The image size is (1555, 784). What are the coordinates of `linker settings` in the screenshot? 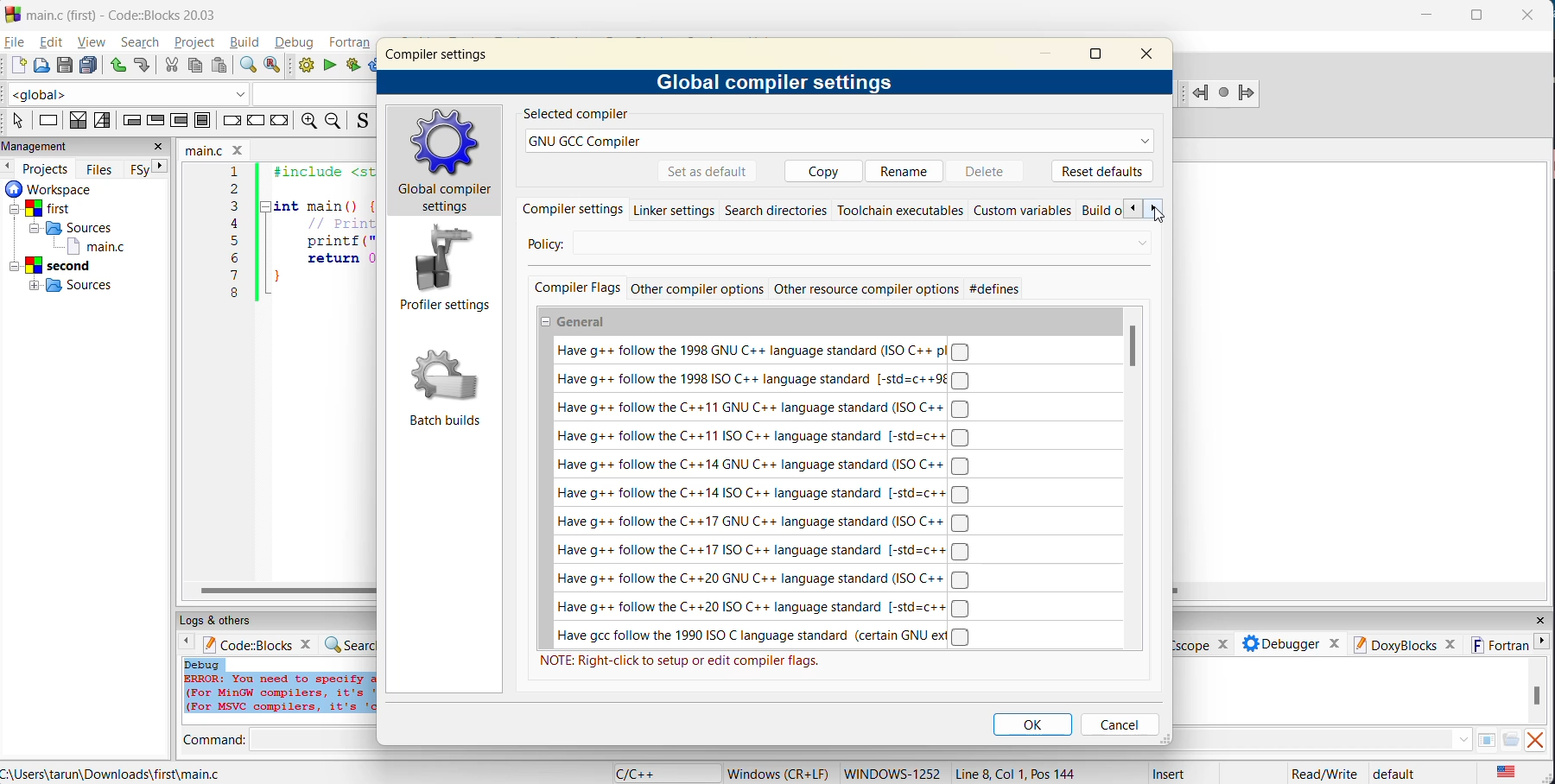 It's located at (674, 211).